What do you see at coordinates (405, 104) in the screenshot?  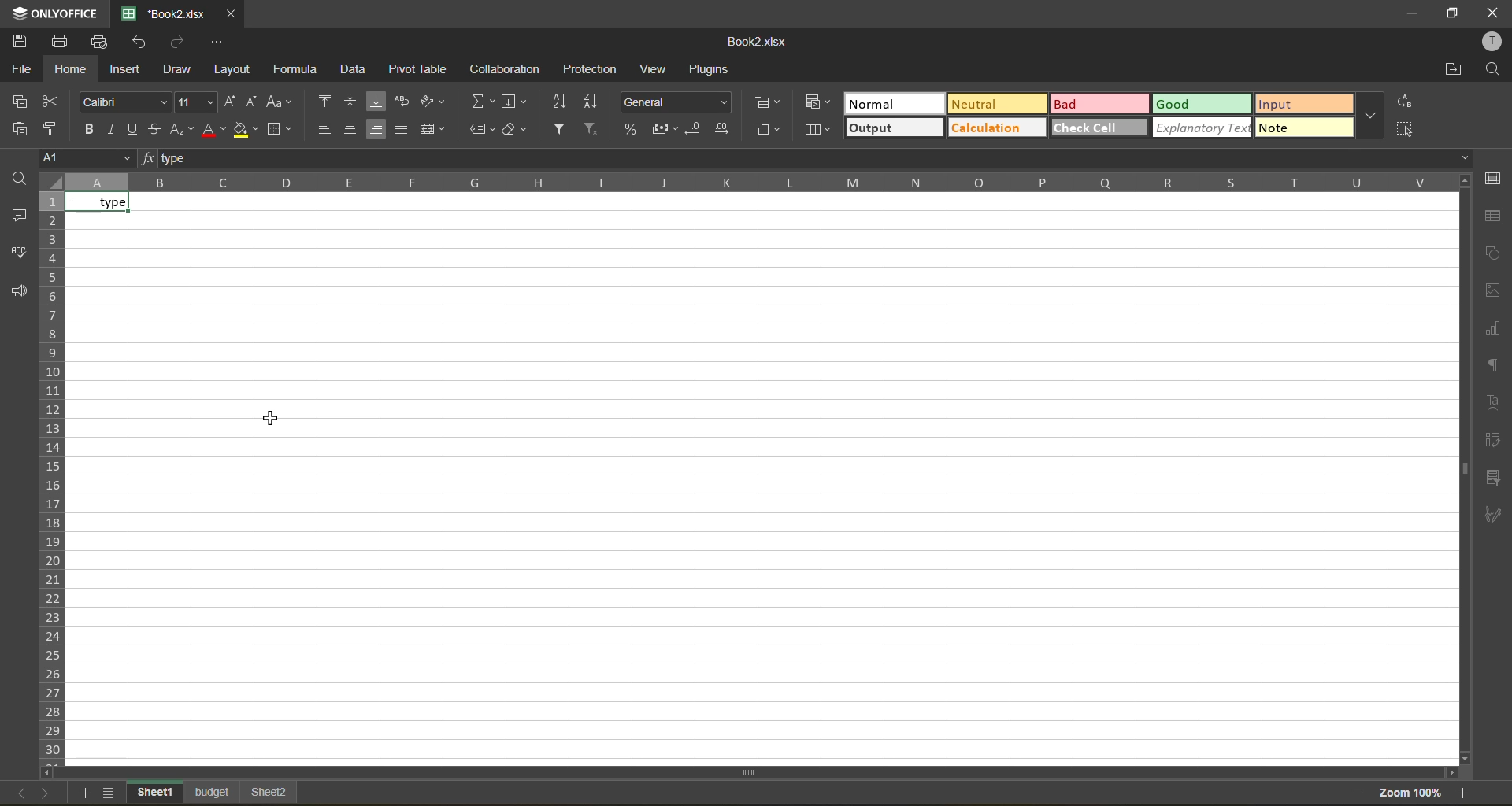 I see `wrap text` at bounding box center [405, 104].